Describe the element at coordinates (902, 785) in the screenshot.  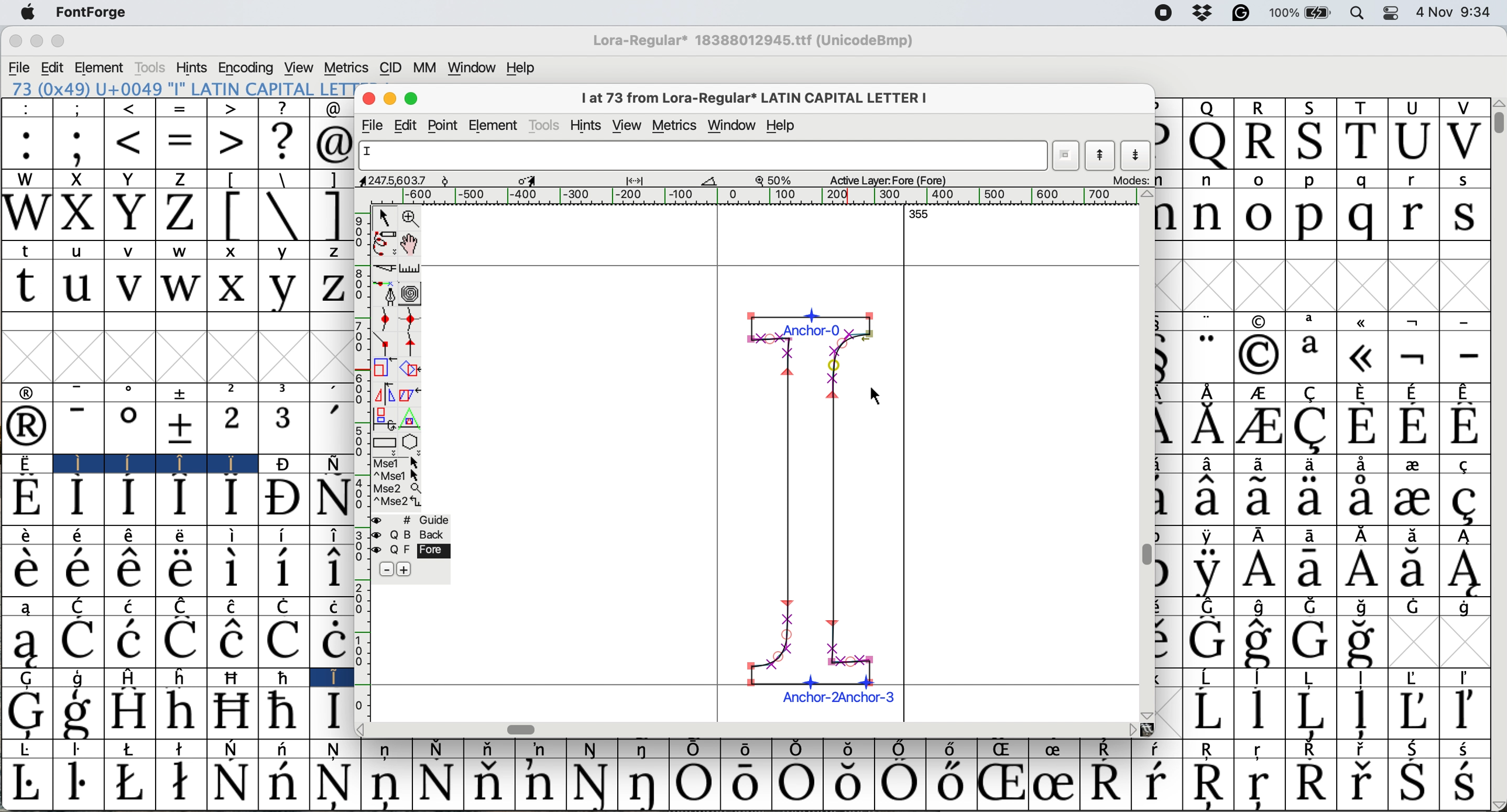
I see `Symbol` at that location.